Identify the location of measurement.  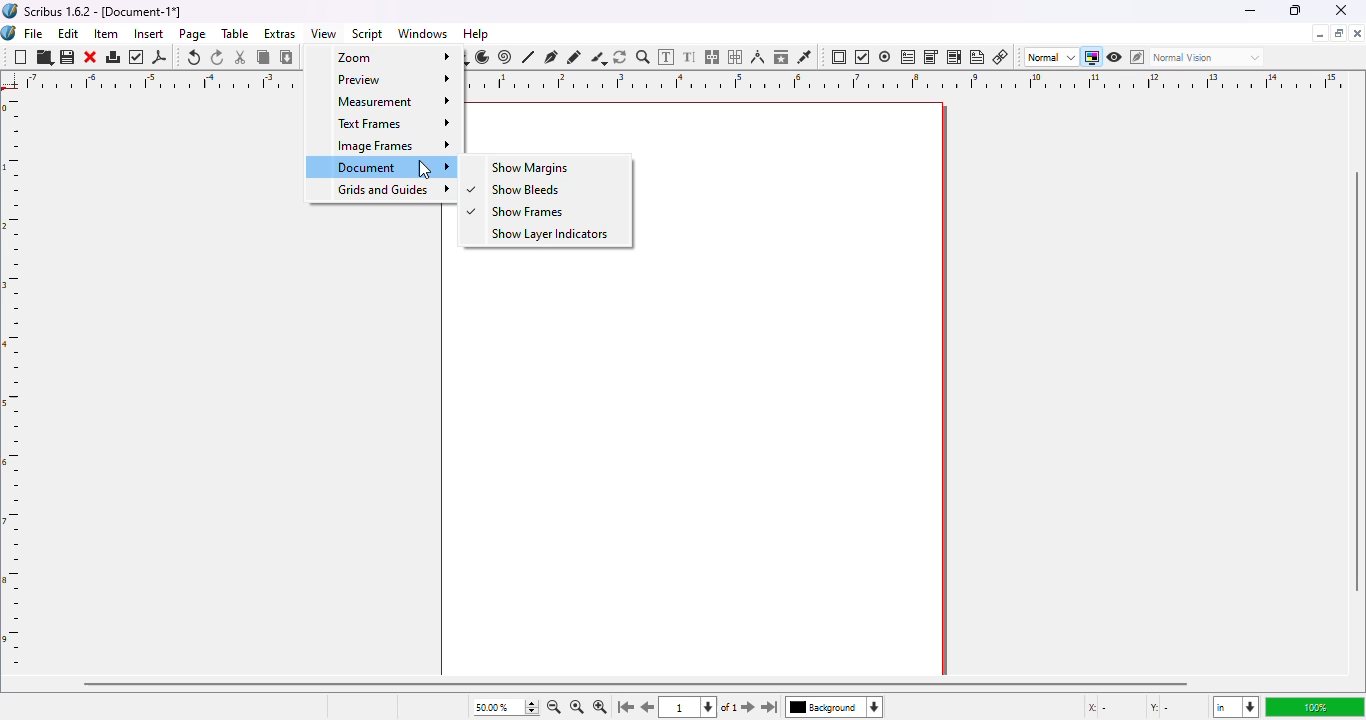
(382, 100).